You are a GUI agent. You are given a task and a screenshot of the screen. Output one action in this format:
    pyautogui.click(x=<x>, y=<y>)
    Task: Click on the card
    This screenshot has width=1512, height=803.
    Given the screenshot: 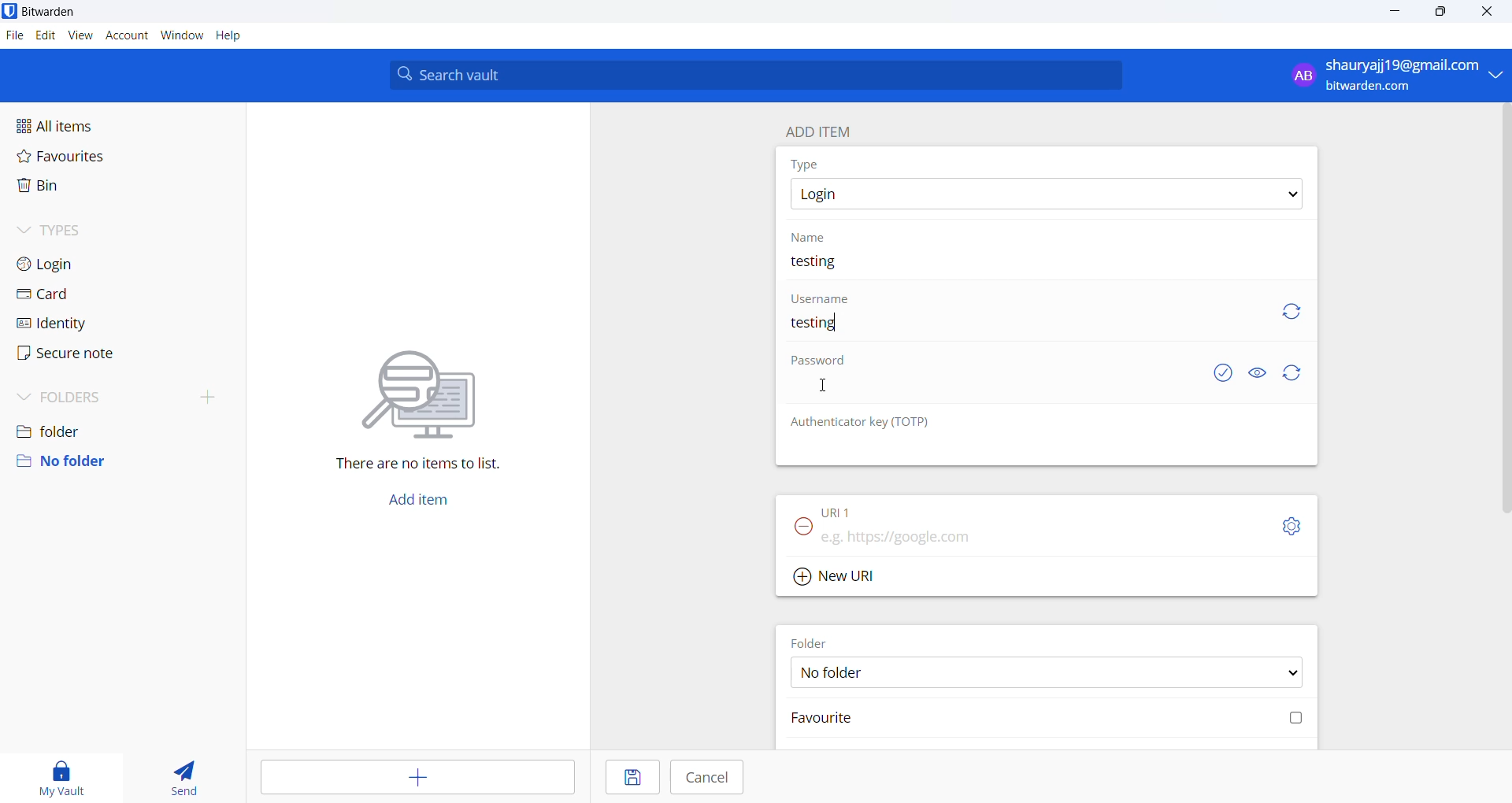 What is the action you would take?
    pyautogui.click(x=82, y=294)
    